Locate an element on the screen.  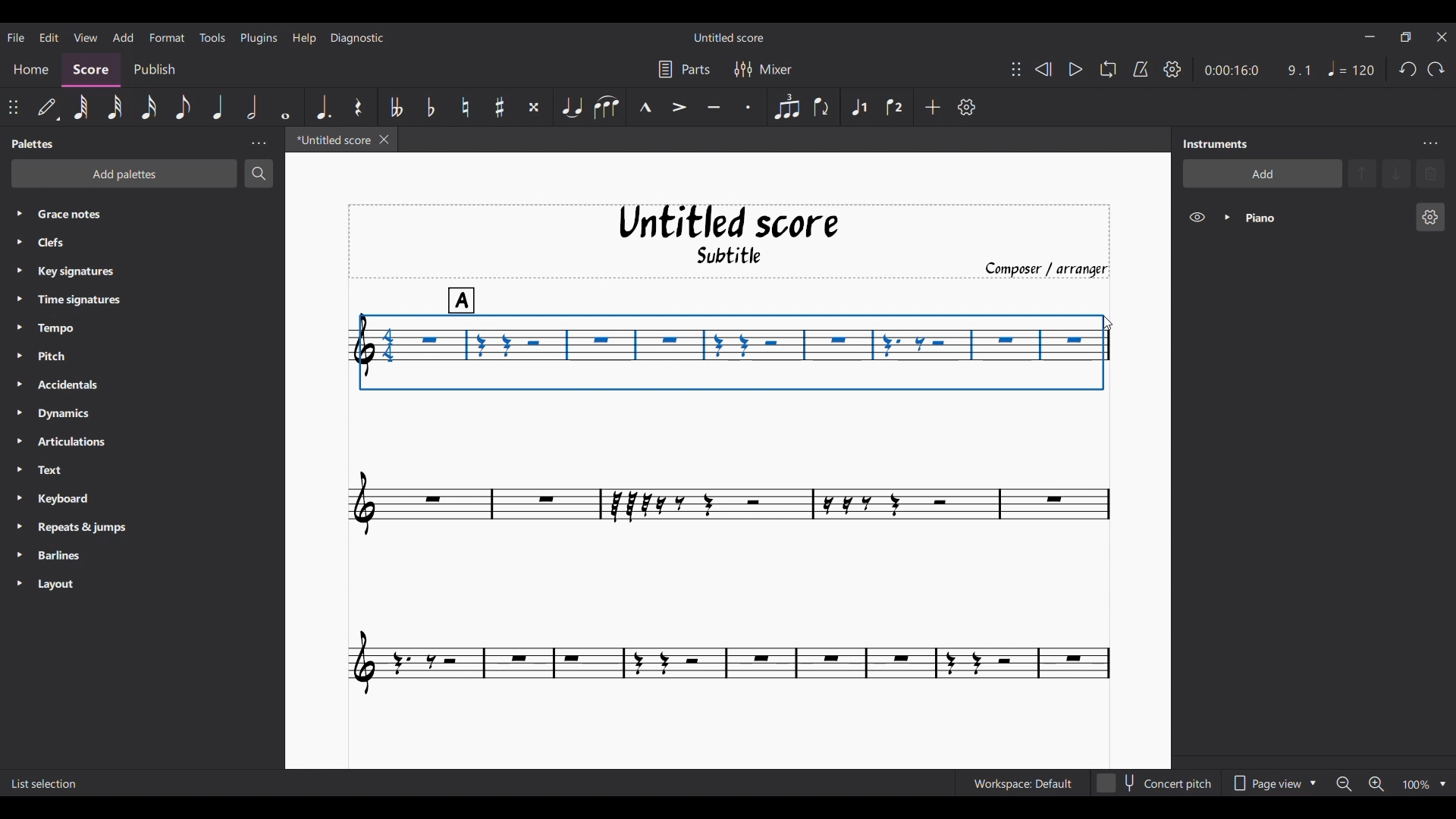
Key signatures. is located at coordinates (89, 273).